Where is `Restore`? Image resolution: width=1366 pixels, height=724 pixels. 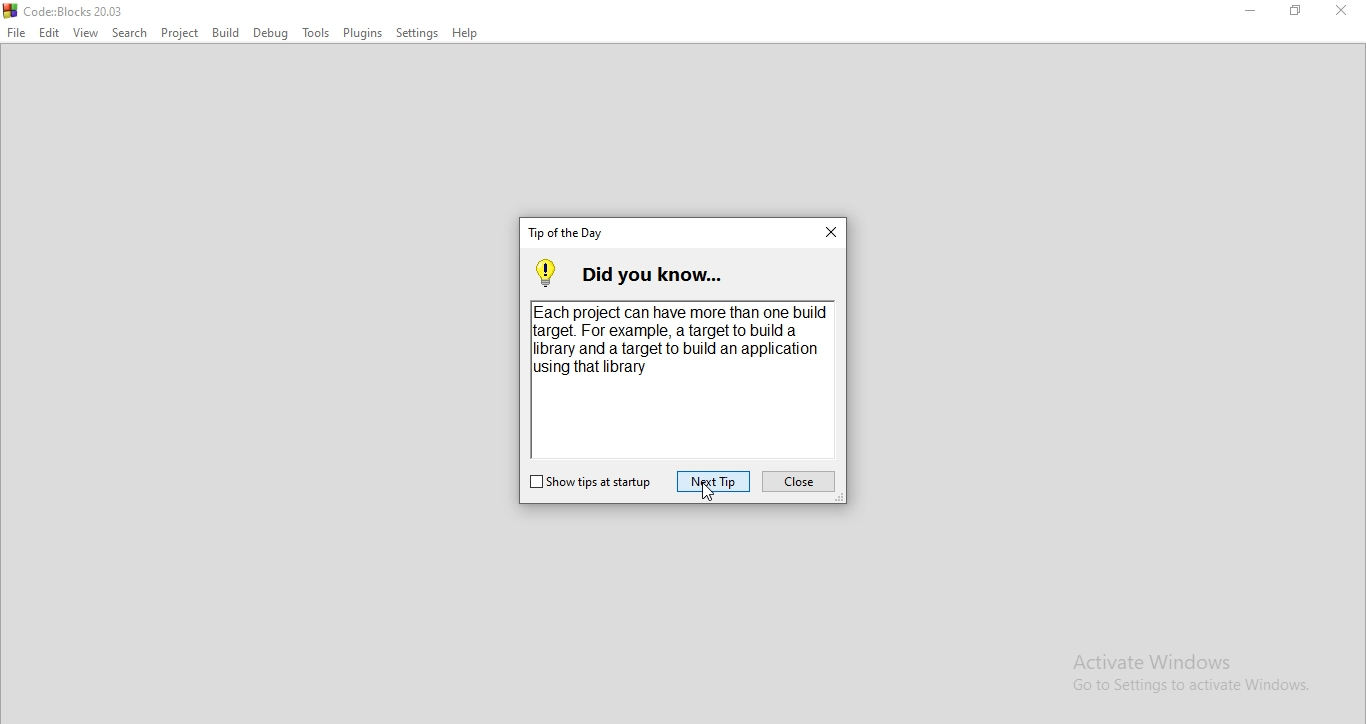
Restore is located at coordinates (1295, 11).